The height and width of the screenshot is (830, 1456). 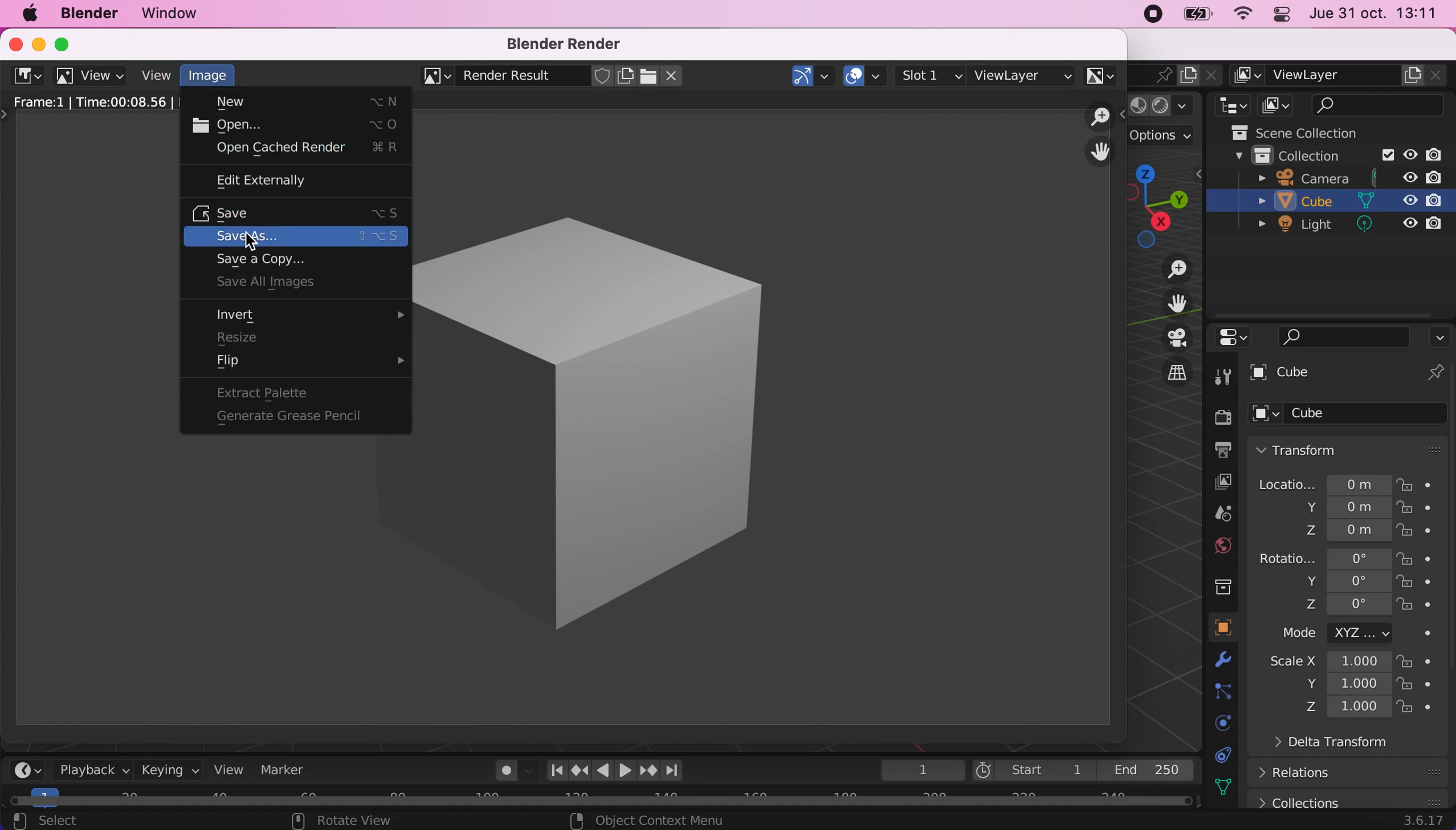 I want to click on play animation, so click(x=602, y=770).